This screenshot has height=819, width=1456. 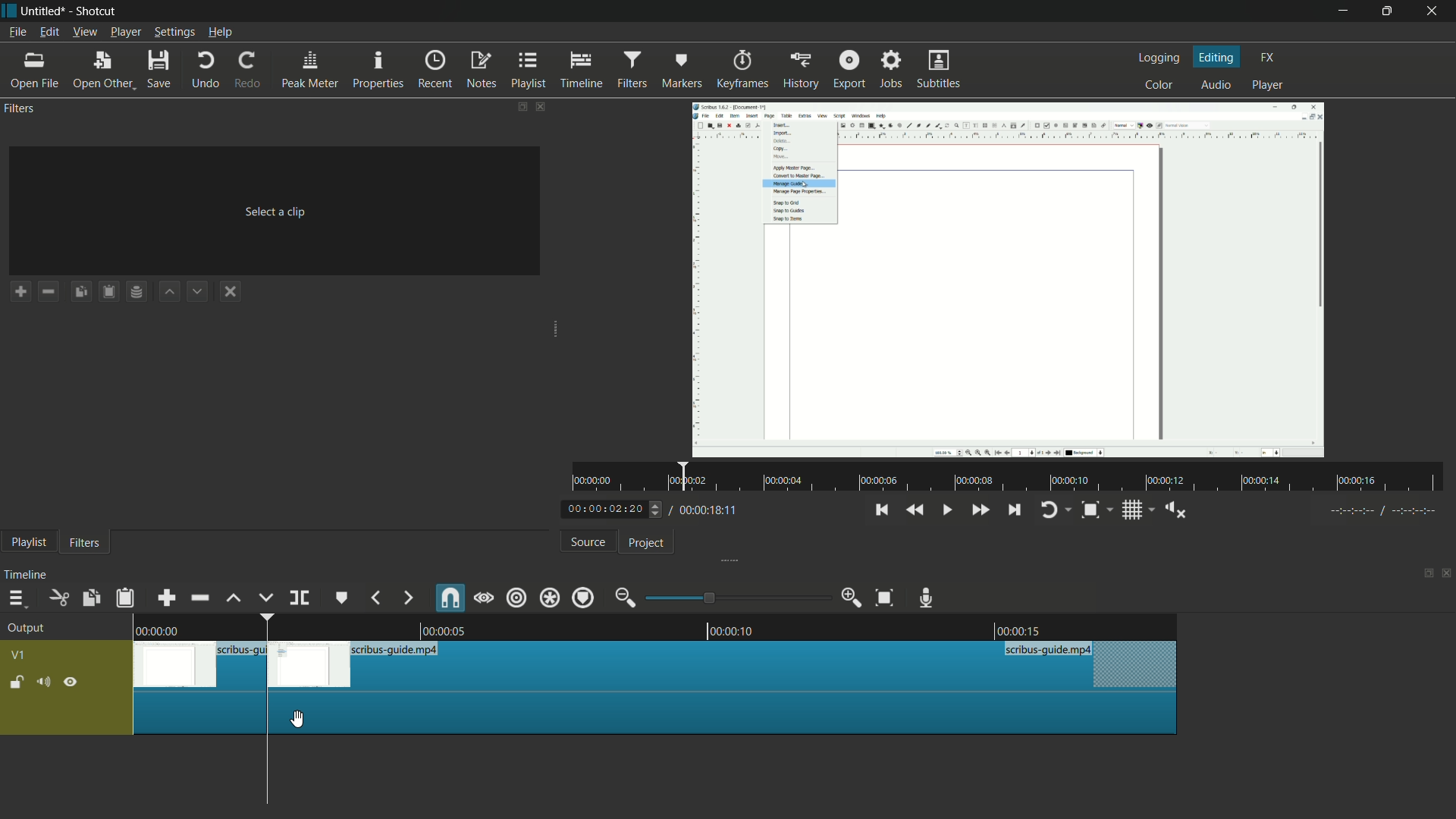 What do you see at coordinates (49, 291) in the screenshot?
I see `remove a filter` at bounding box center [49, 291].